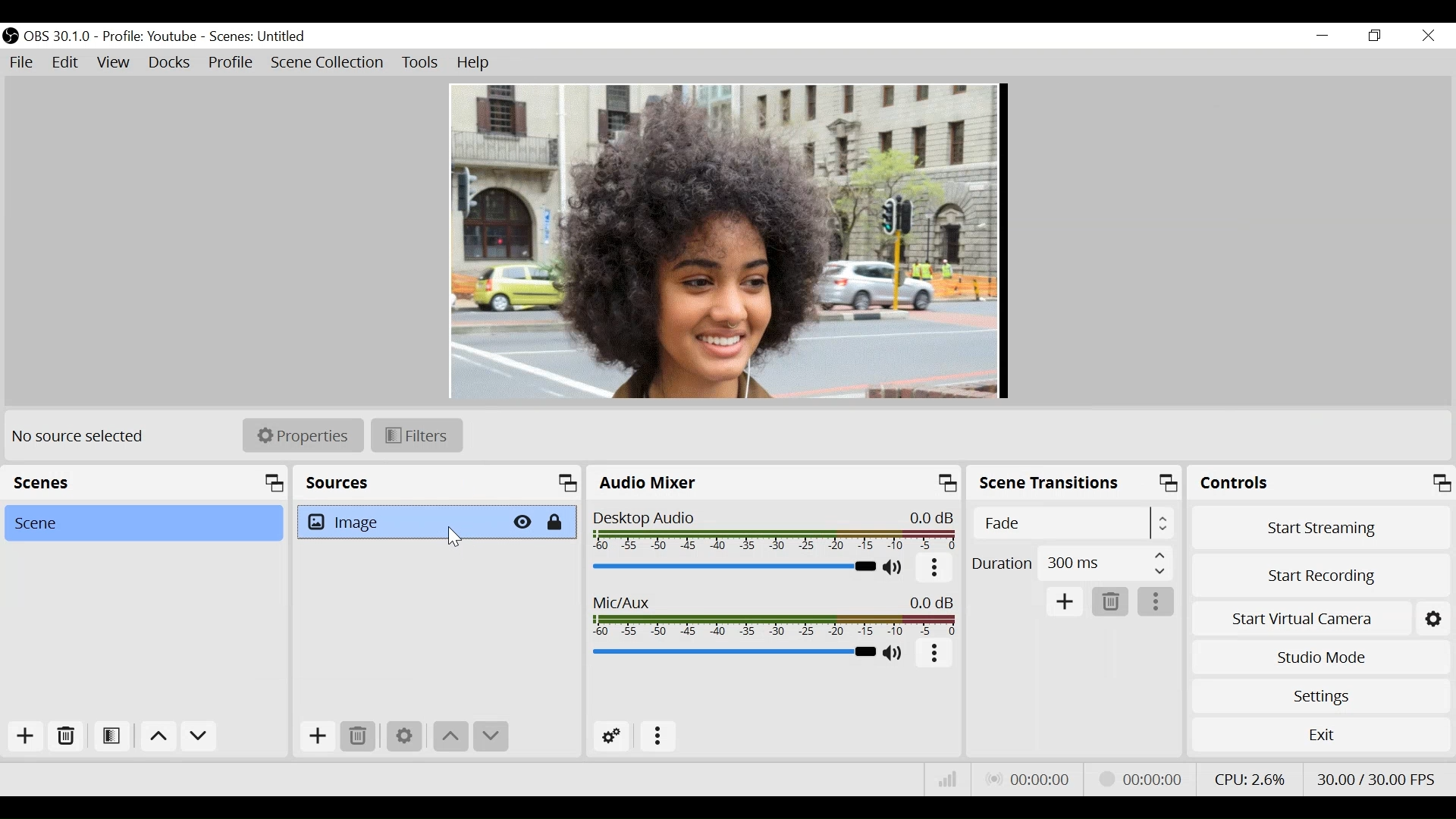 The height and width of the screenshot is (819, 1456). What do you see at coordinates (1320, 529) in the screenshot?
I see `Start Streaming` at bounding box center [1320, 529].